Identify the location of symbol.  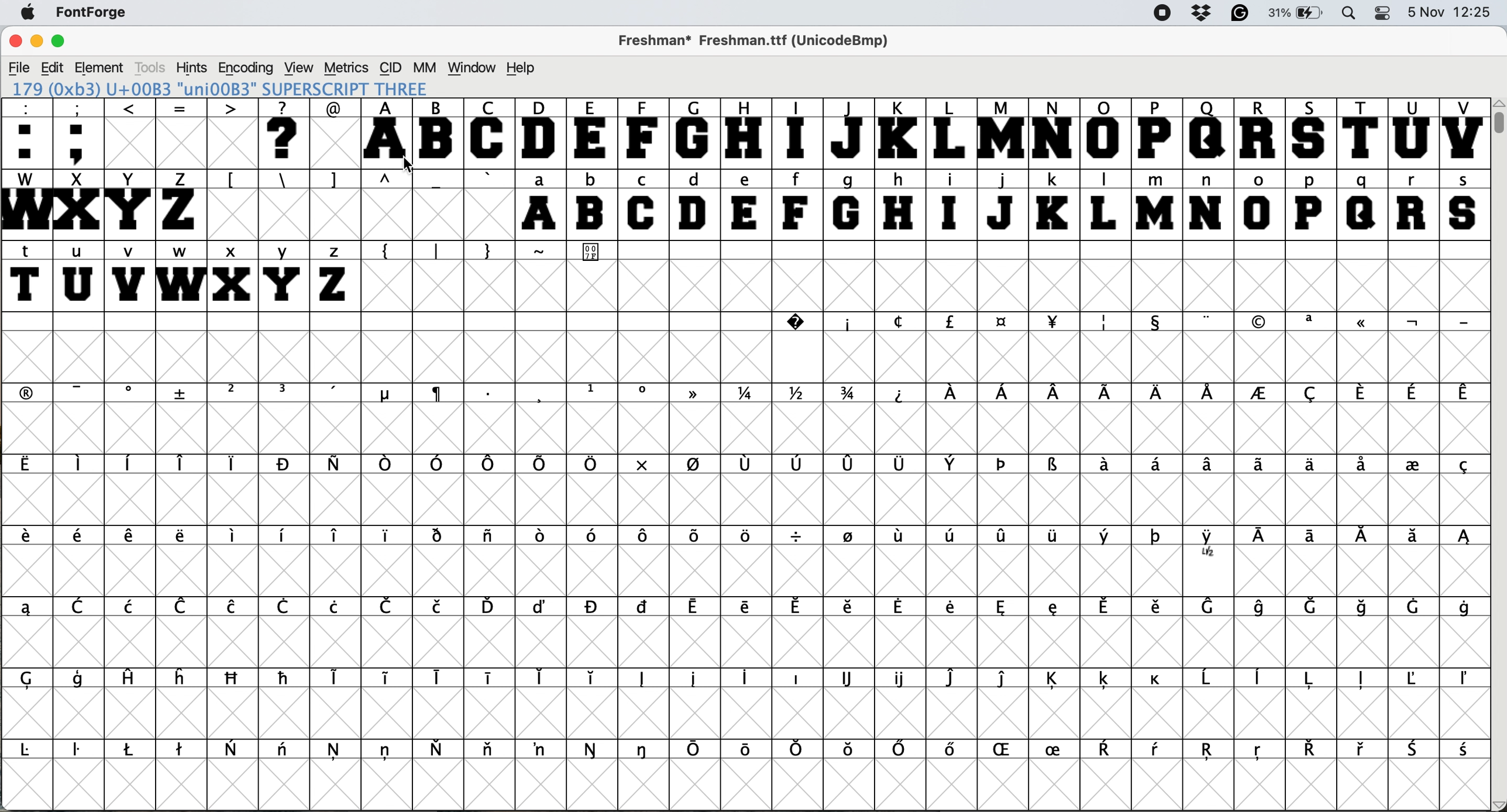
(1059, 748).